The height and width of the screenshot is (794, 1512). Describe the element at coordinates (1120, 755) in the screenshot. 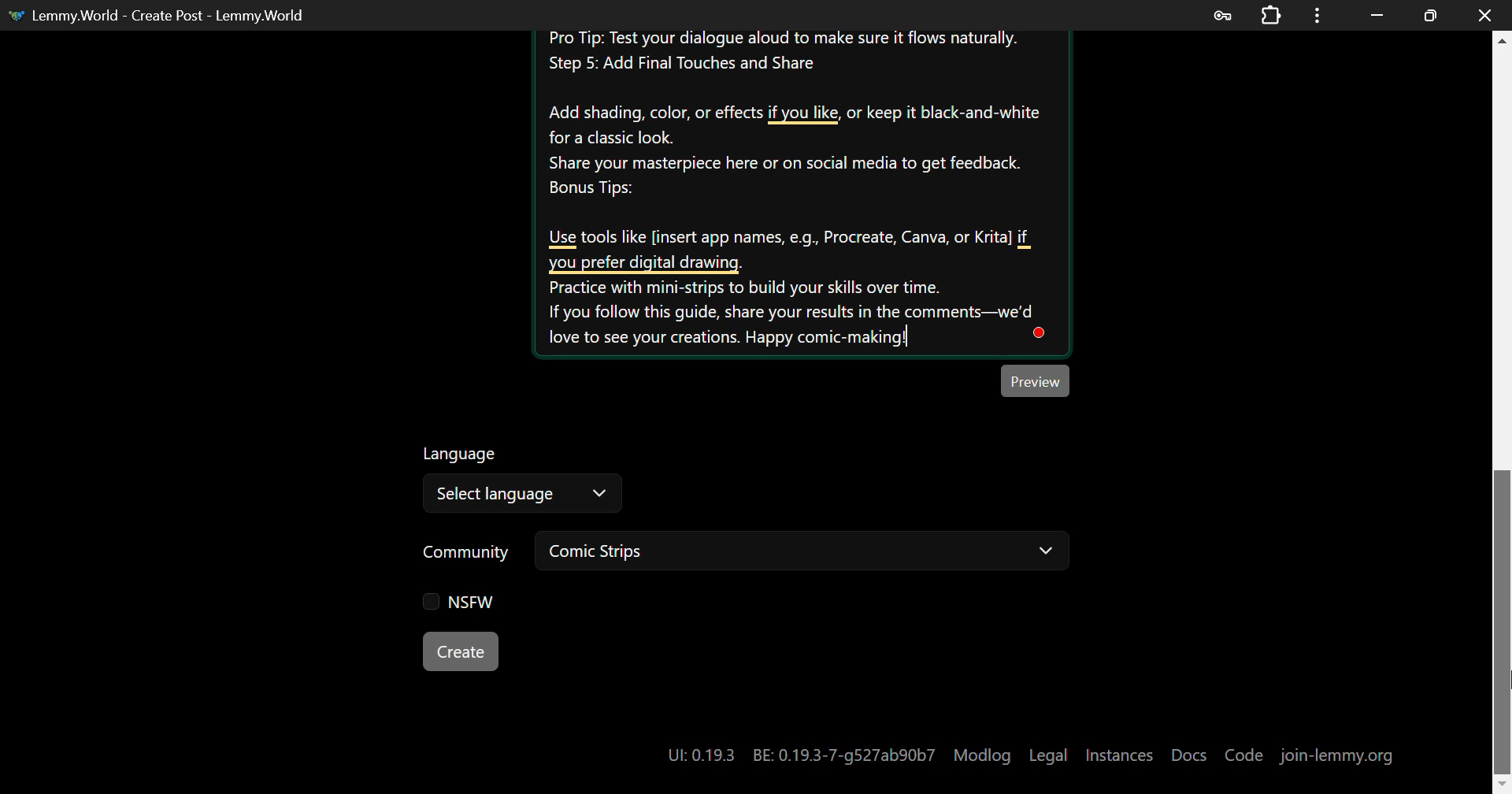

I see `Instances` at that location.